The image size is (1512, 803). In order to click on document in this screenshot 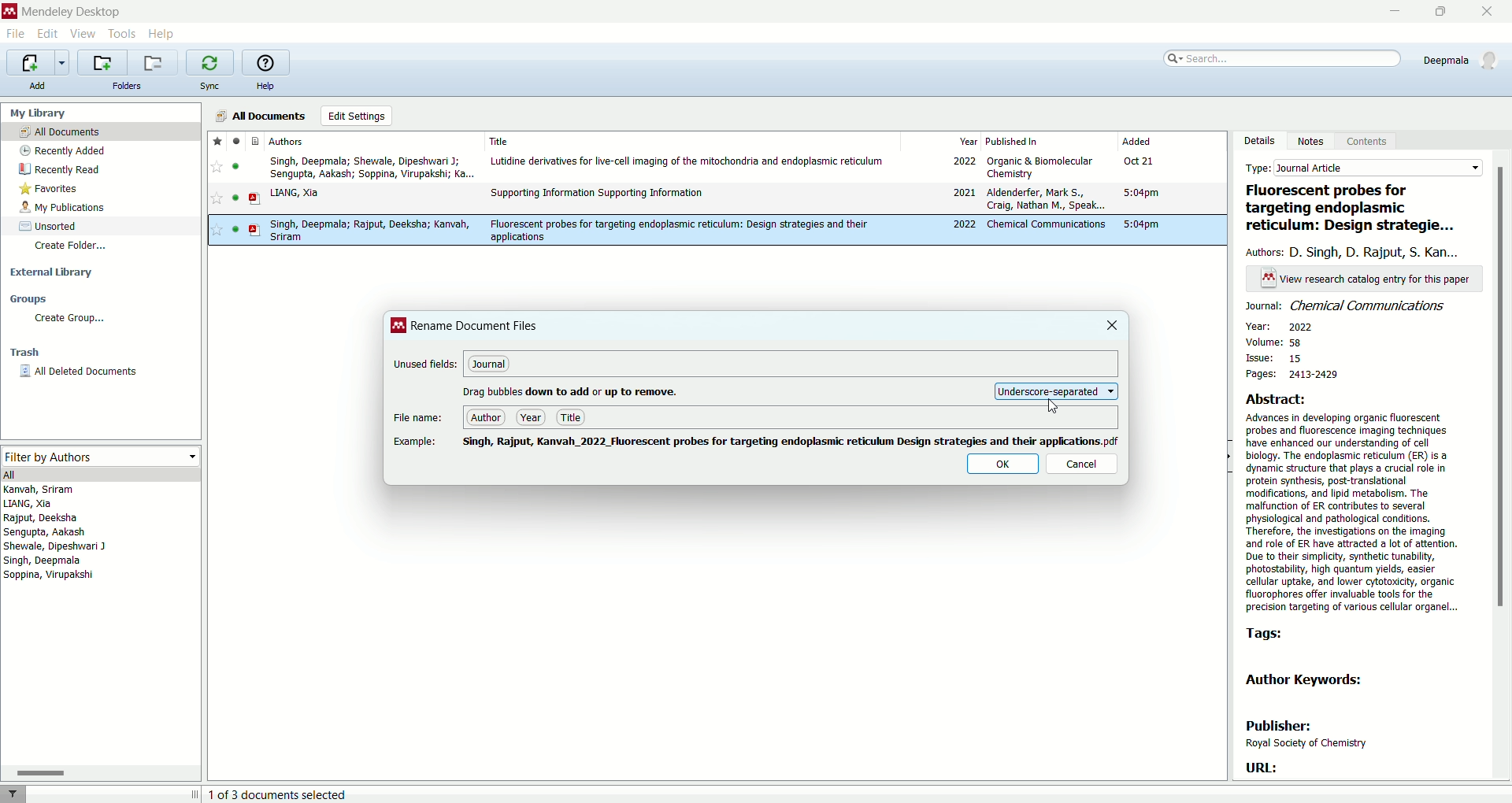, I will do `click(257, 229)`.